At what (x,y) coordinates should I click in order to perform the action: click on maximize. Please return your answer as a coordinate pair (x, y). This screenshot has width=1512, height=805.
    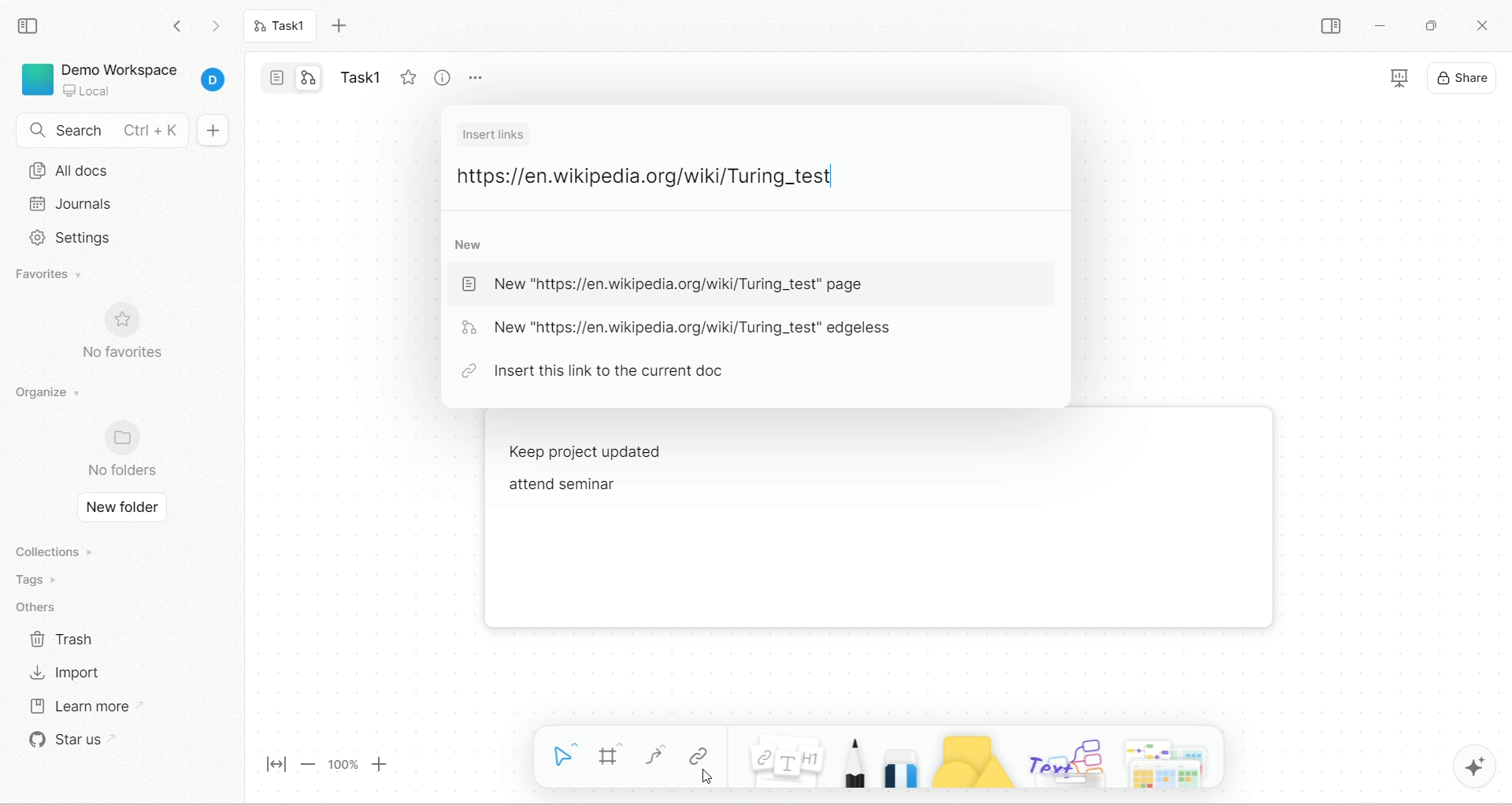
    Looking at the image, I should click on (1429, 24).